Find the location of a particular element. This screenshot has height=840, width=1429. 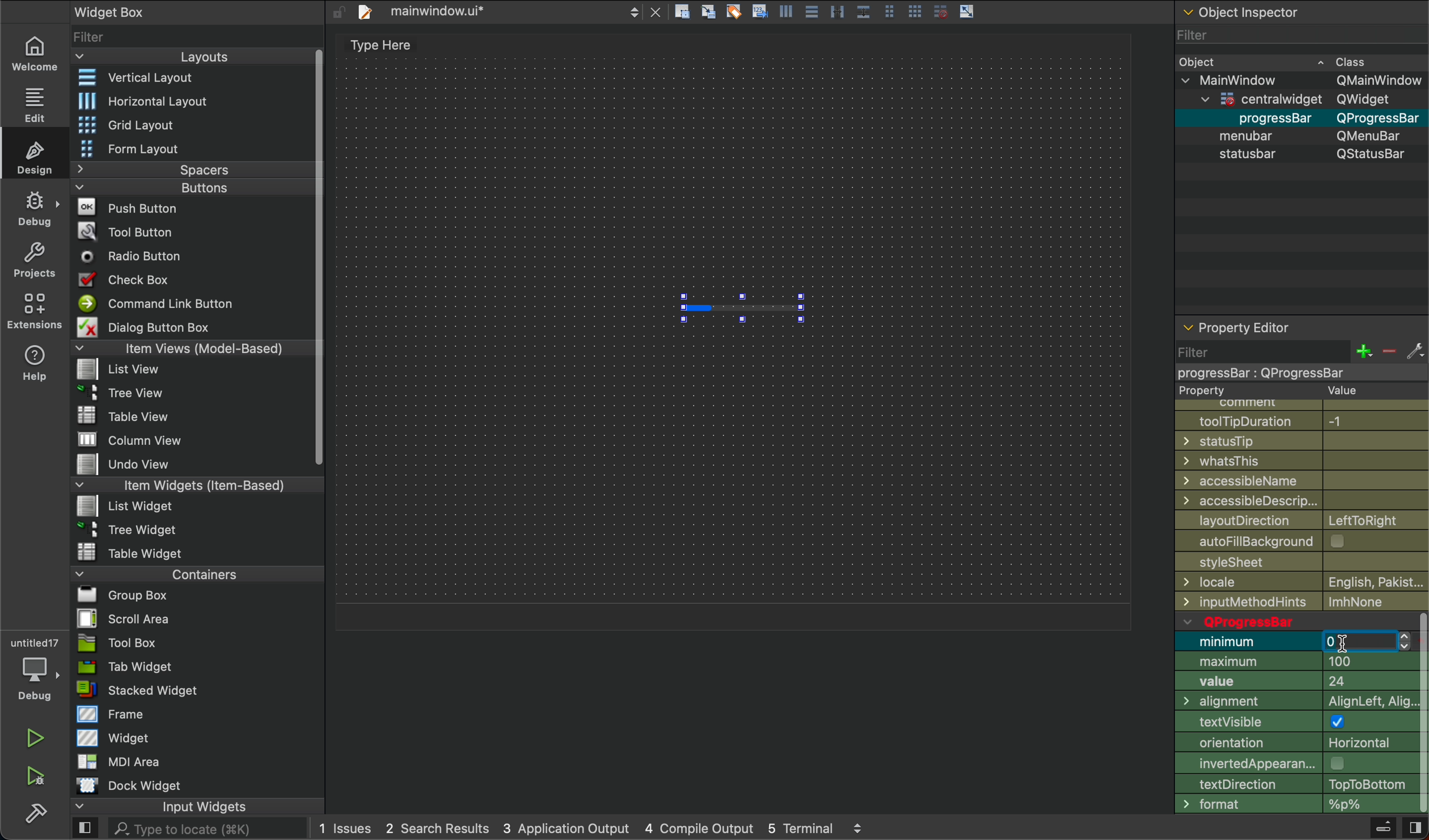

Accessible design is located at coordinates (1302, 500).